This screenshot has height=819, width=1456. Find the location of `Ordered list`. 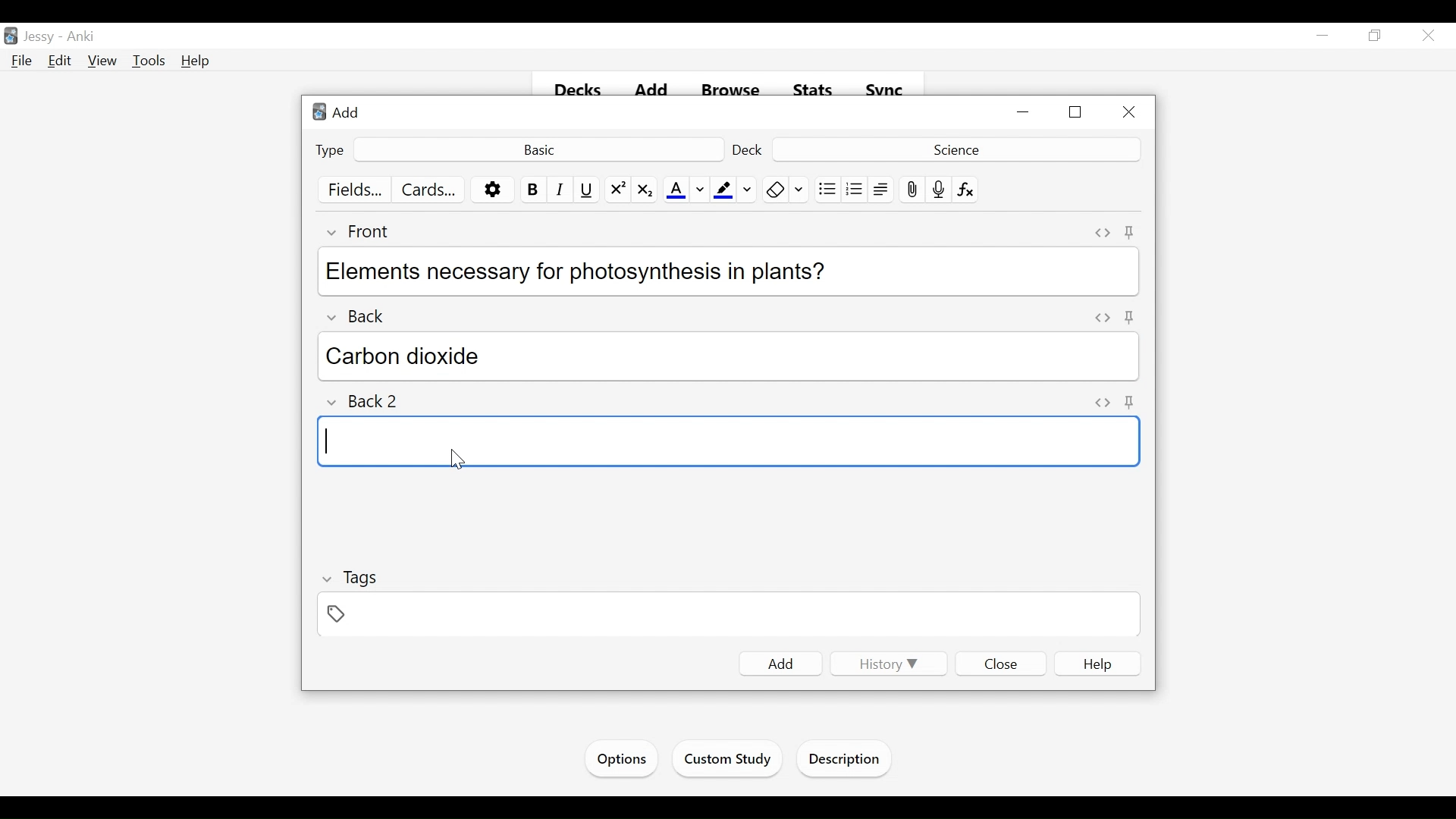

Ordered list is located at coordinates (855, 190).